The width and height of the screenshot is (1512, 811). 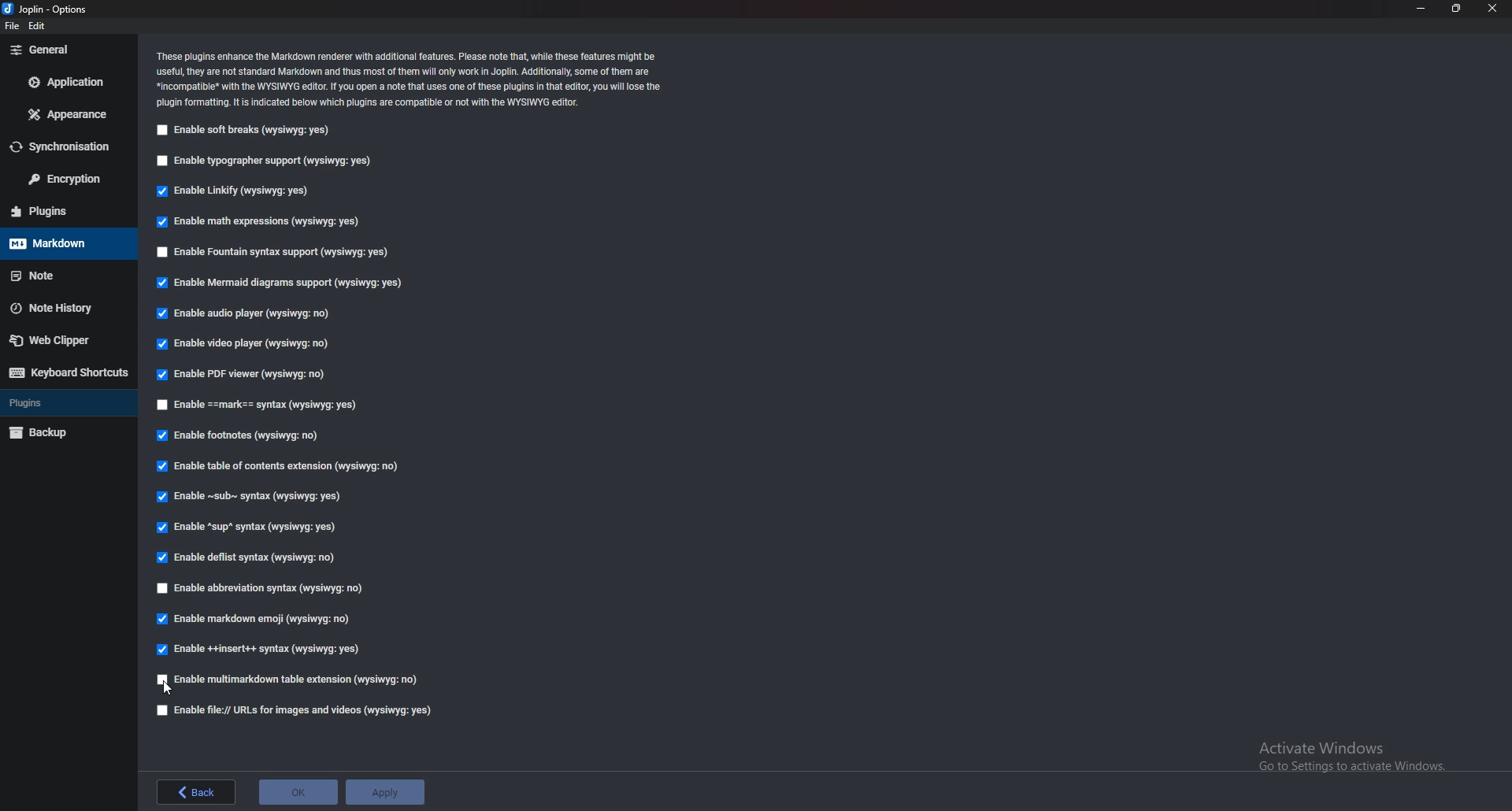 I want to click on Enable footnotes, so click(x=243, y=435).